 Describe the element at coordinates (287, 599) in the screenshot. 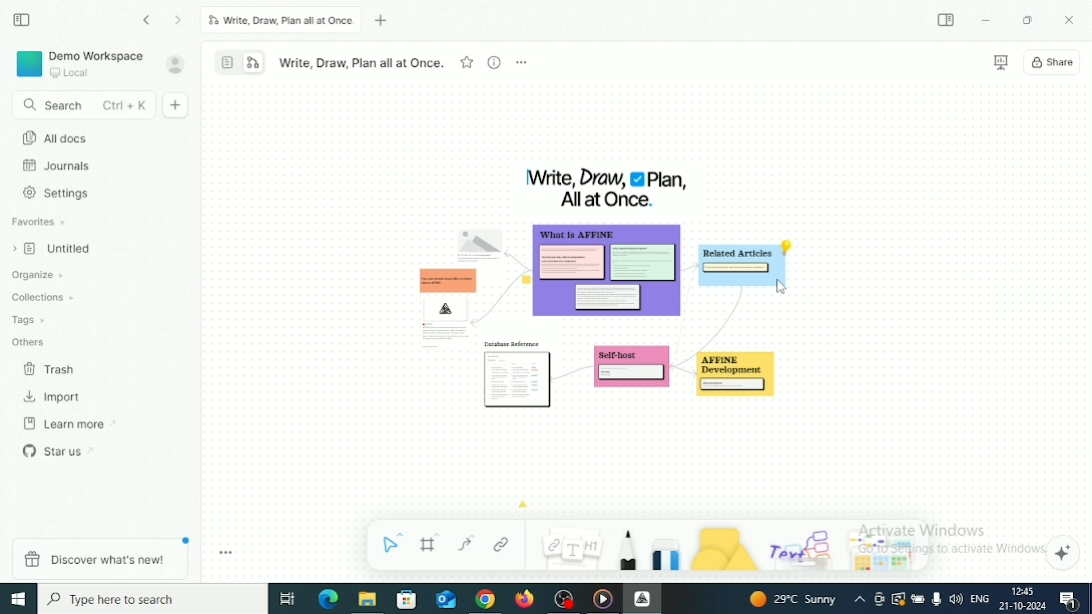

I see `Task View` at that location.